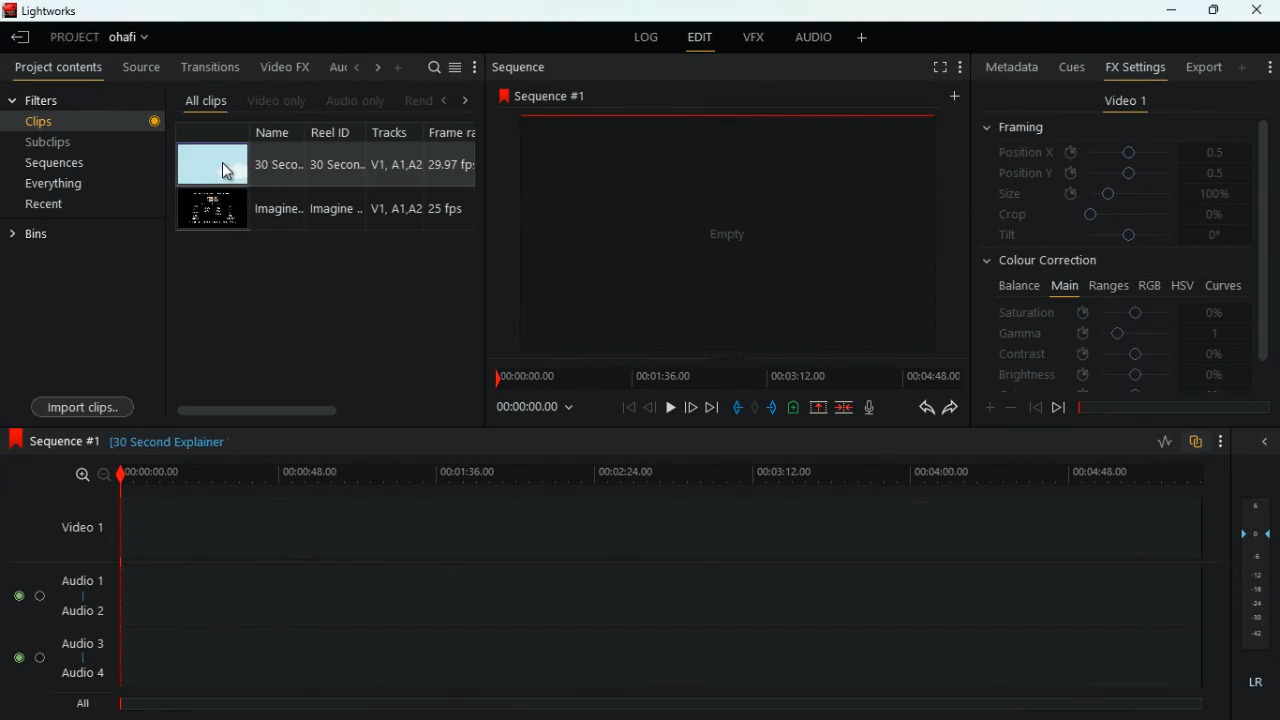 The height and width of the screenshot is (720, 1280). What do you see at coordinates (106, 39) in the screenshot?
I see `project  ohafi` at bounding box center [106, 39].